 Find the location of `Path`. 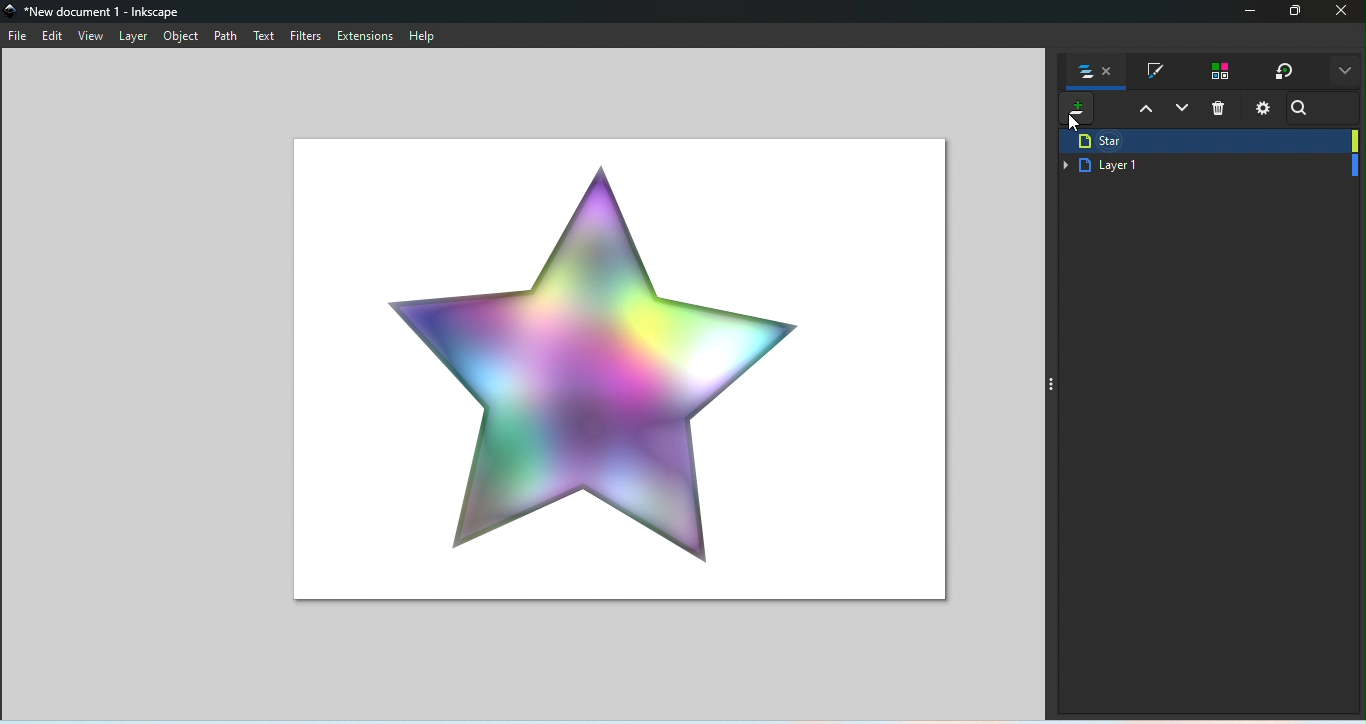

Path is located at coordinates (224, 38).